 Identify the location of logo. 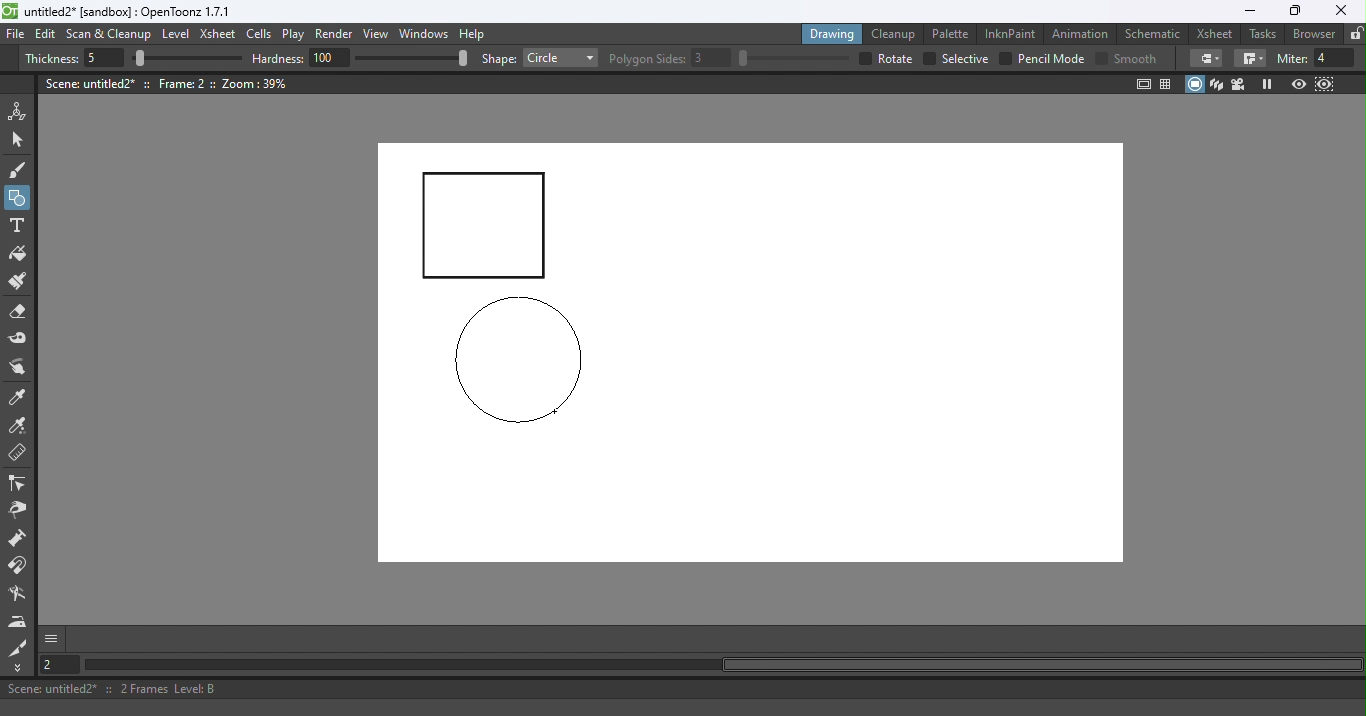
(10, 11).